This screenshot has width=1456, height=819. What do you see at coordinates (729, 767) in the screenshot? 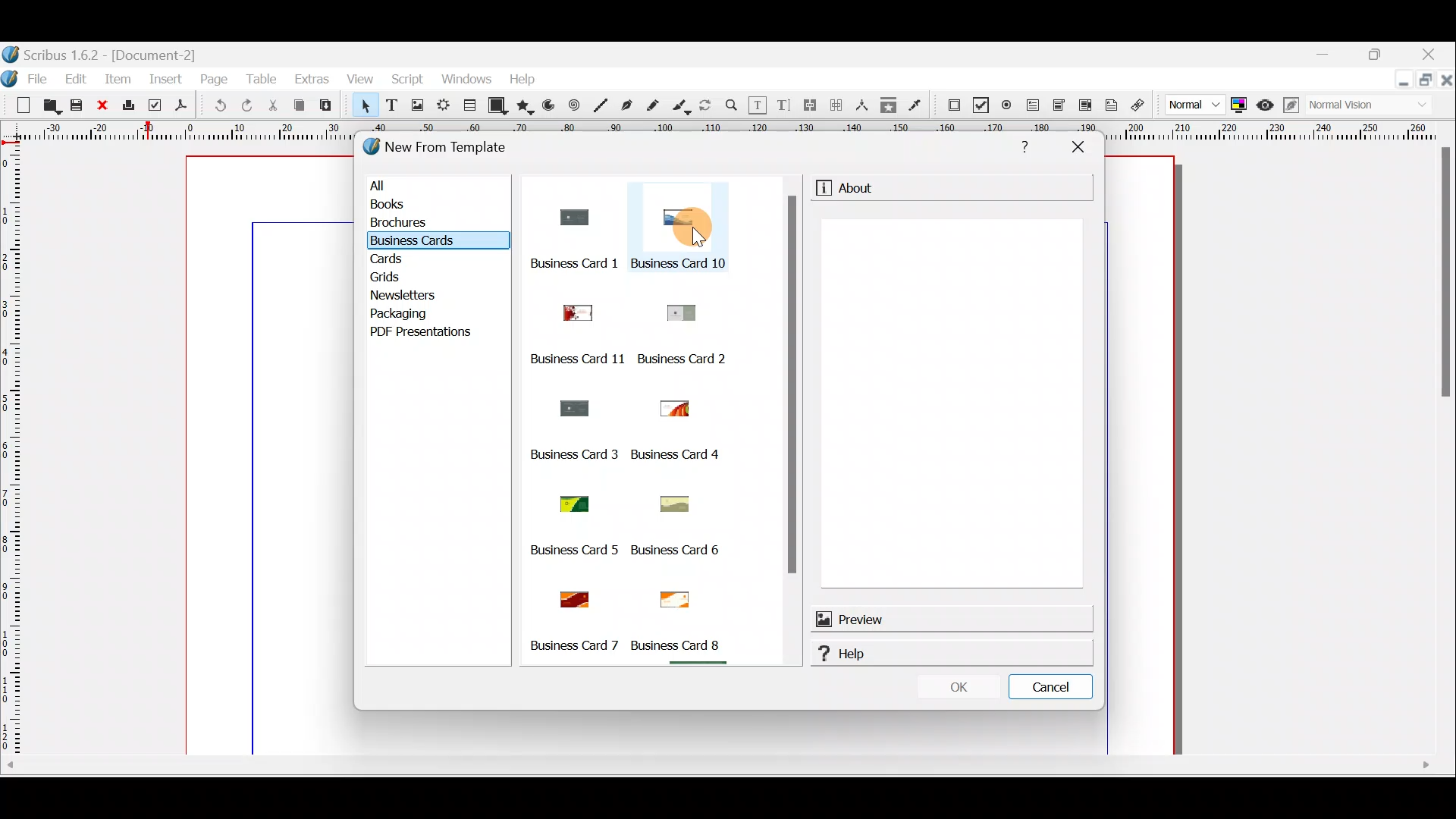
I see `Scroll bar` at bounding box center [729, 767].